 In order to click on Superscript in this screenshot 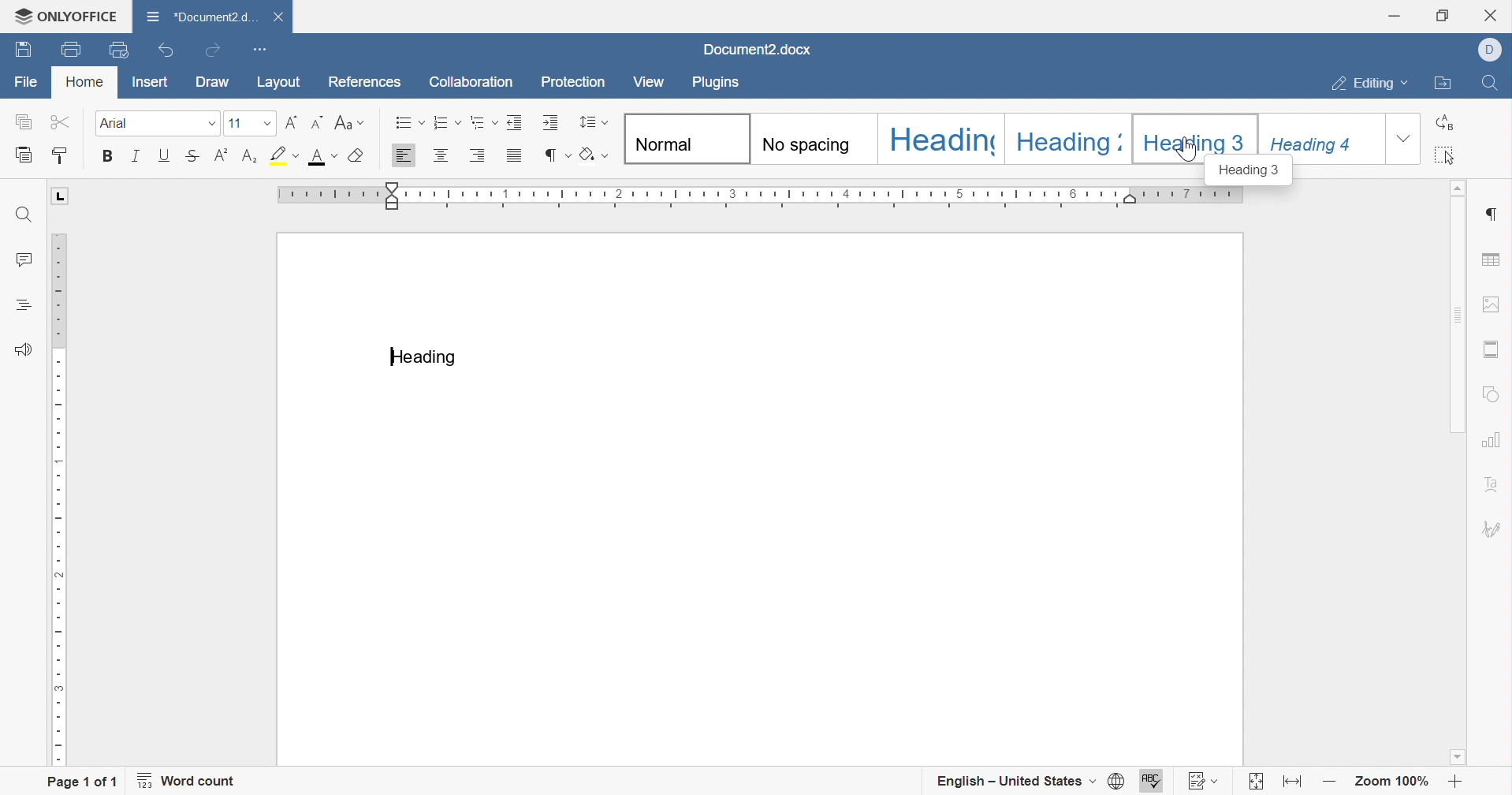, I will do `click(221, 157)`.